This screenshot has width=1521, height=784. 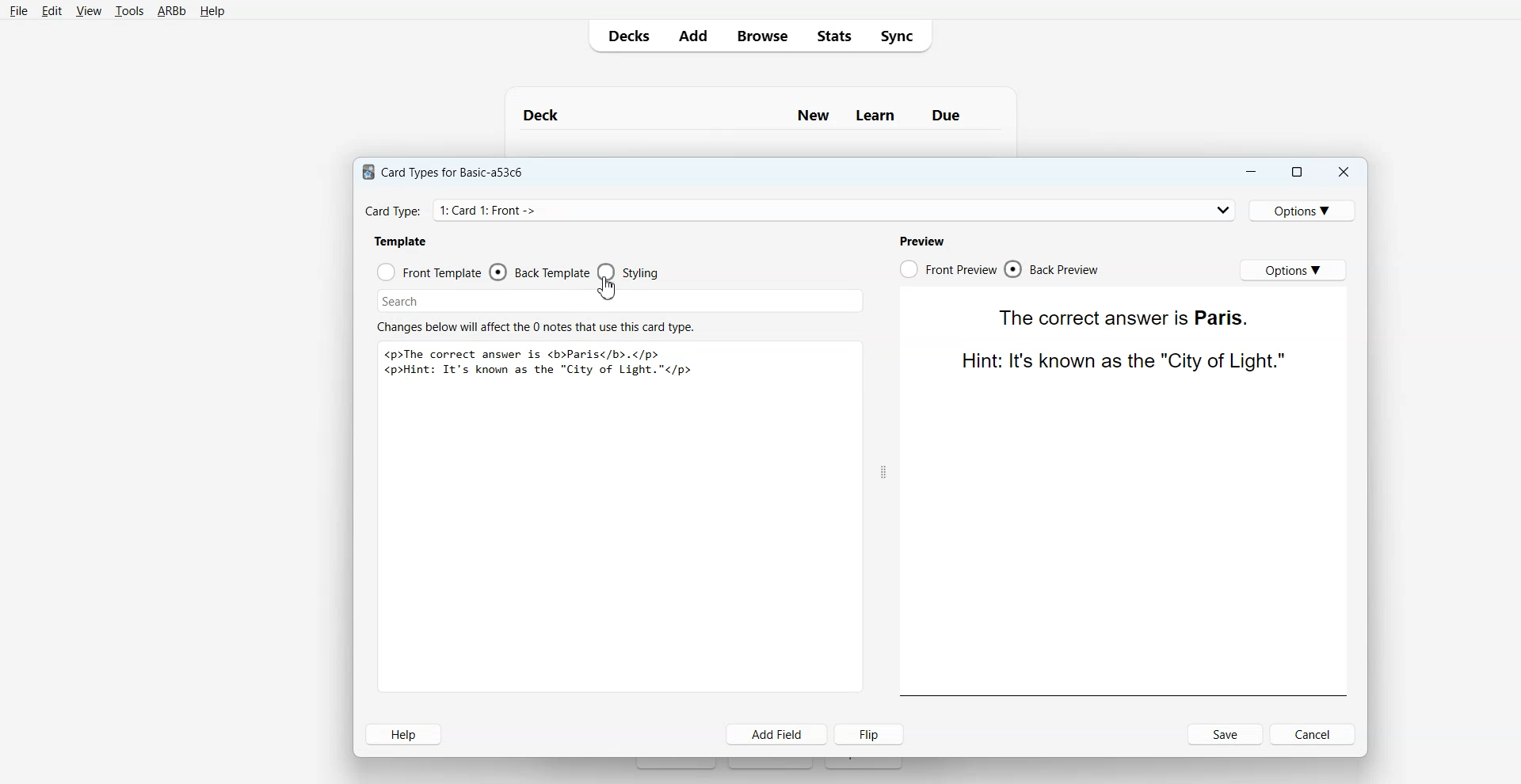 What do you see at coordinates (833, 35) in the screenshot?
I see `Stats` at bounding box center [833, 35].